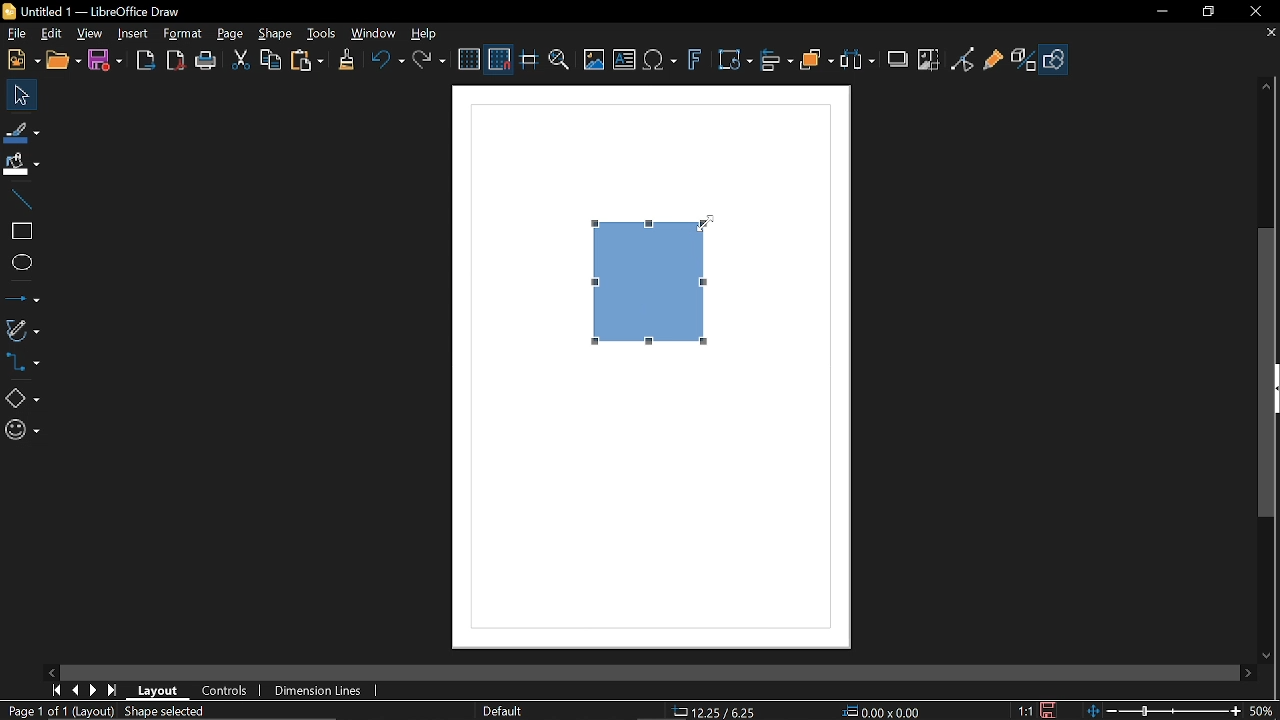  What do you see at coordinates (714, 712) in the screenshot?
I see `12.25/6.25 (cursor Position)` at bounding box center [714, 712].